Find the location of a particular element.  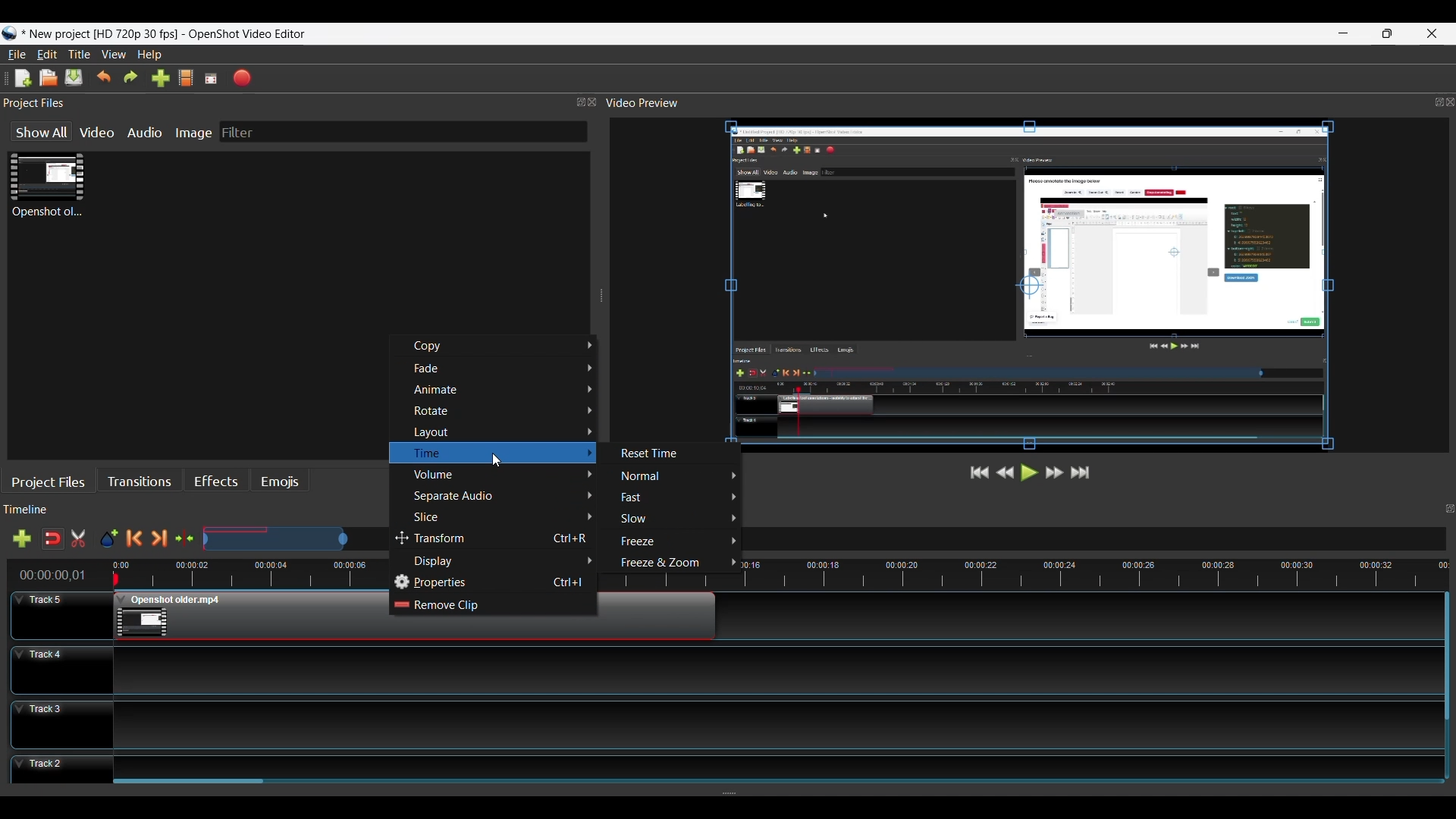

Edit is located at coordinates (47, 55).